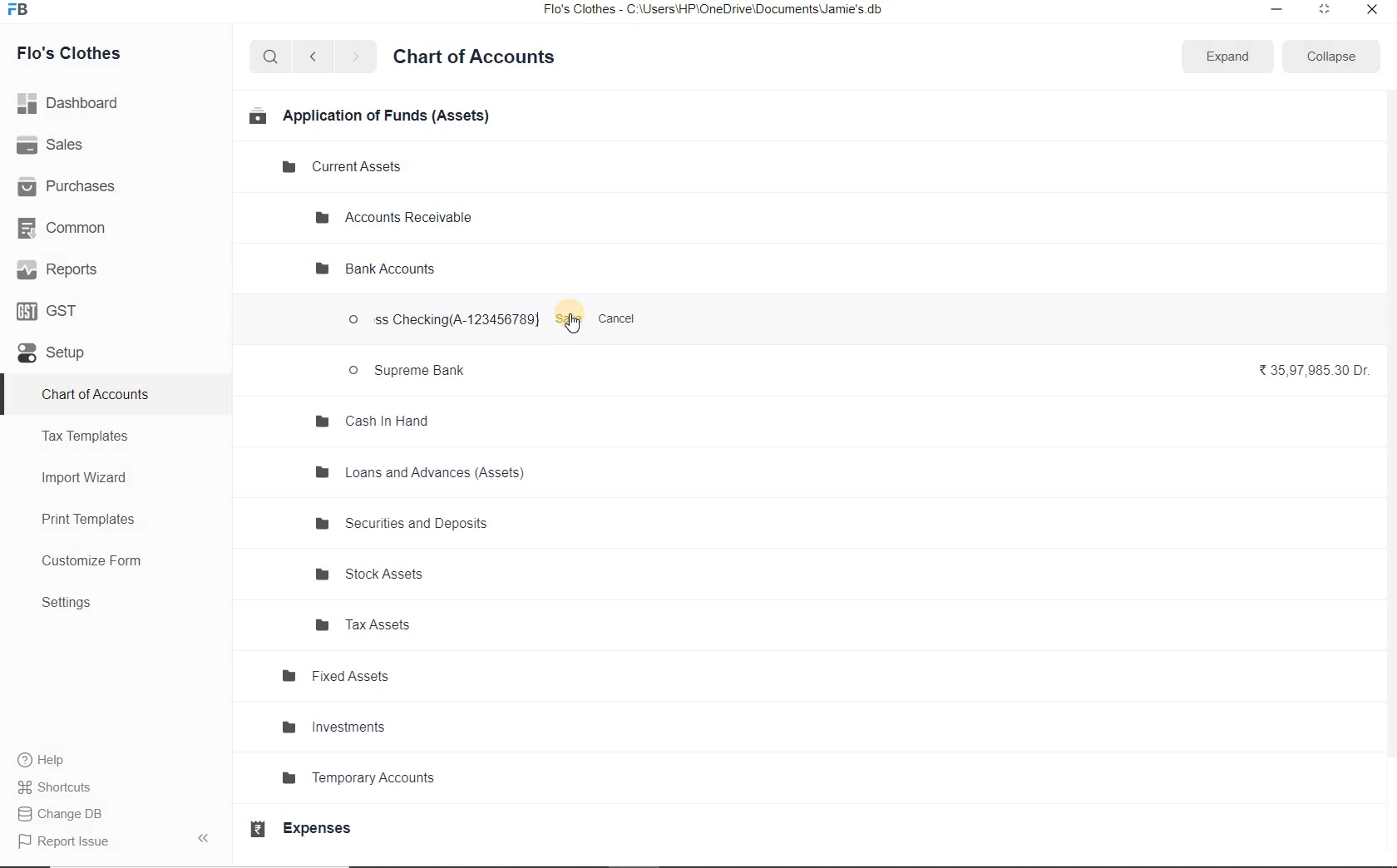  Describe the element at coordinates (81, 53) in the screenshot. I see `Flo's Clothes` at that location.